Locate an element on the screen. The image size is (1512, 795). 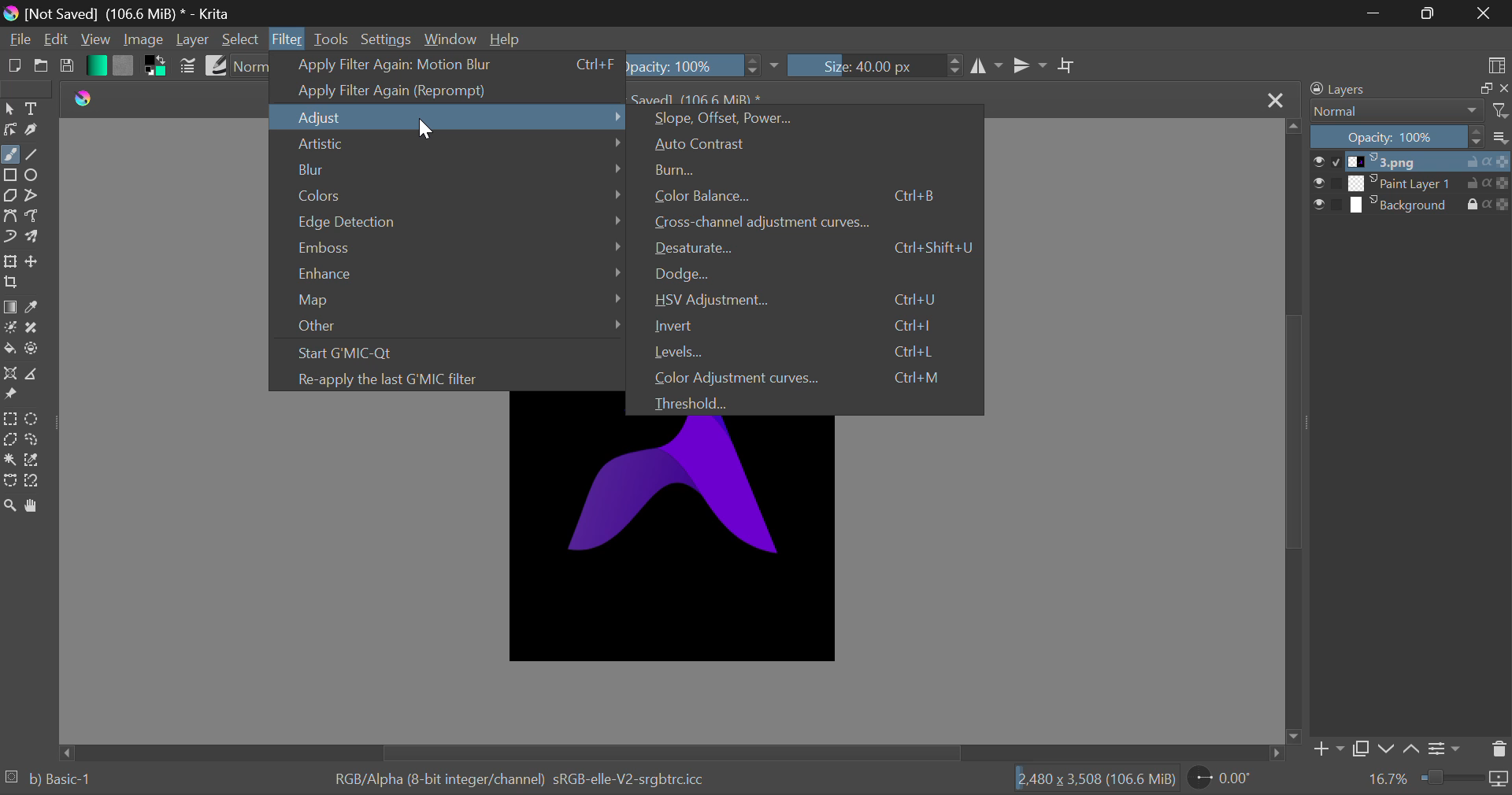
Window is located at coordinates (450, 39).